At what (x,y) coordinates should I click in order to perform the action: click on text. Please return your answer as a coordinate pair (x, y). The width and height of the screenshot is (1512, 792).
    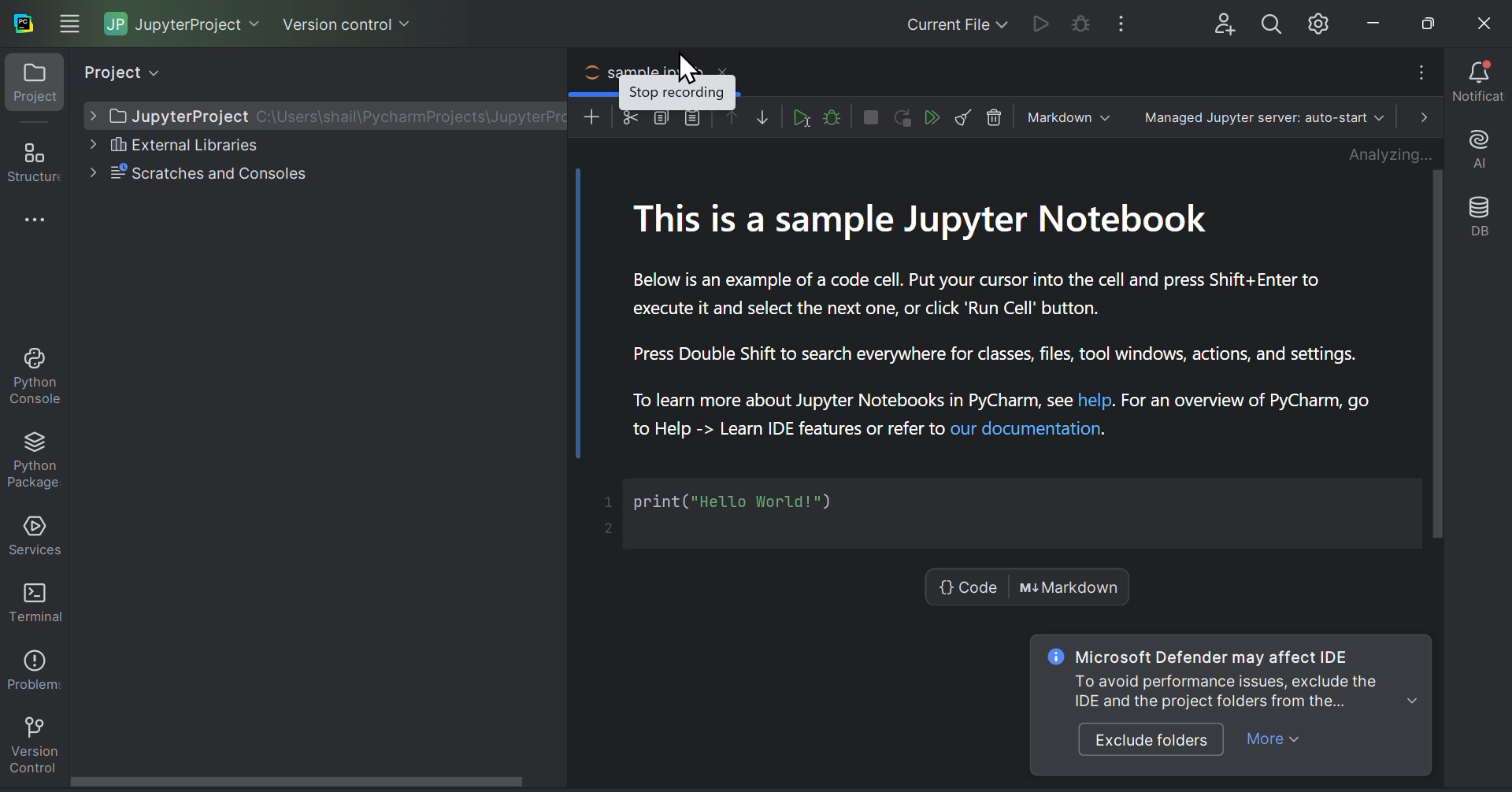
    Looking at the image, I should click on (1232, 678).